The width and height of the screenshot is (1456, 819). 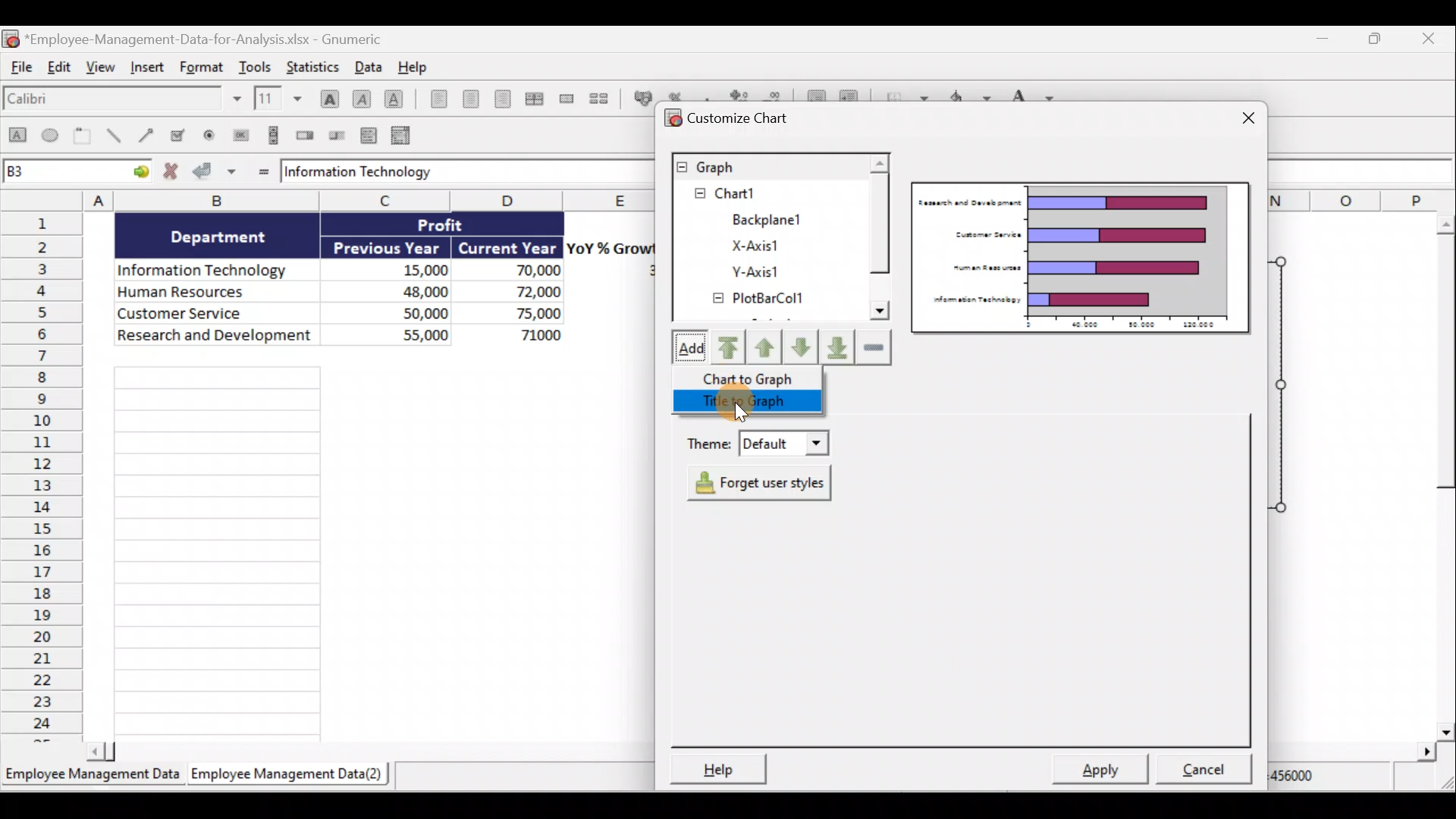 What do you see at coordinates (726, 347) in the screenshot?
I see `Move top` at bounding box center [726, 347].